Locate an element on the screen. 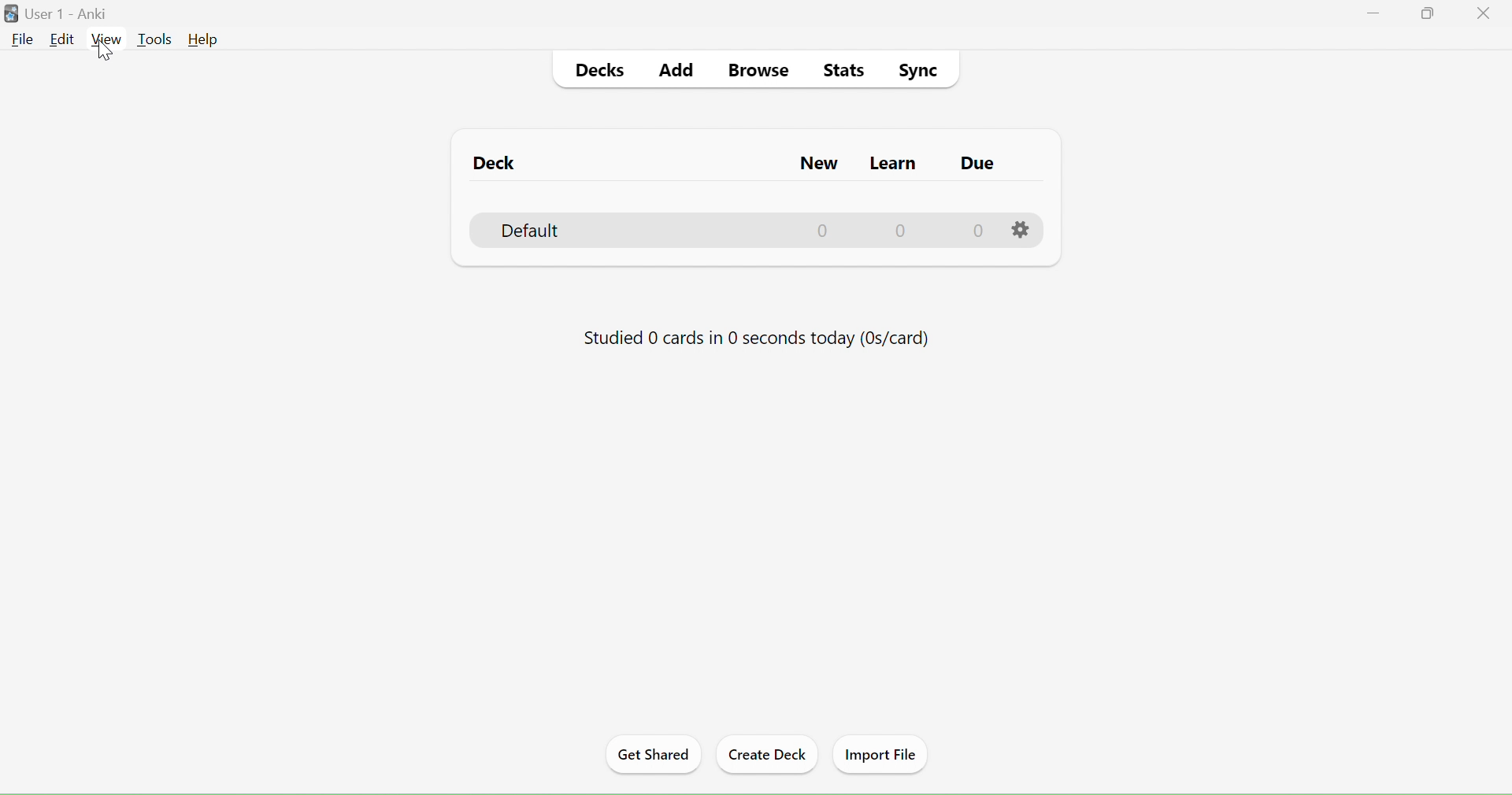 The height and width of the screenshot is (795, 1512). decks is located at coordinates (602, 72).